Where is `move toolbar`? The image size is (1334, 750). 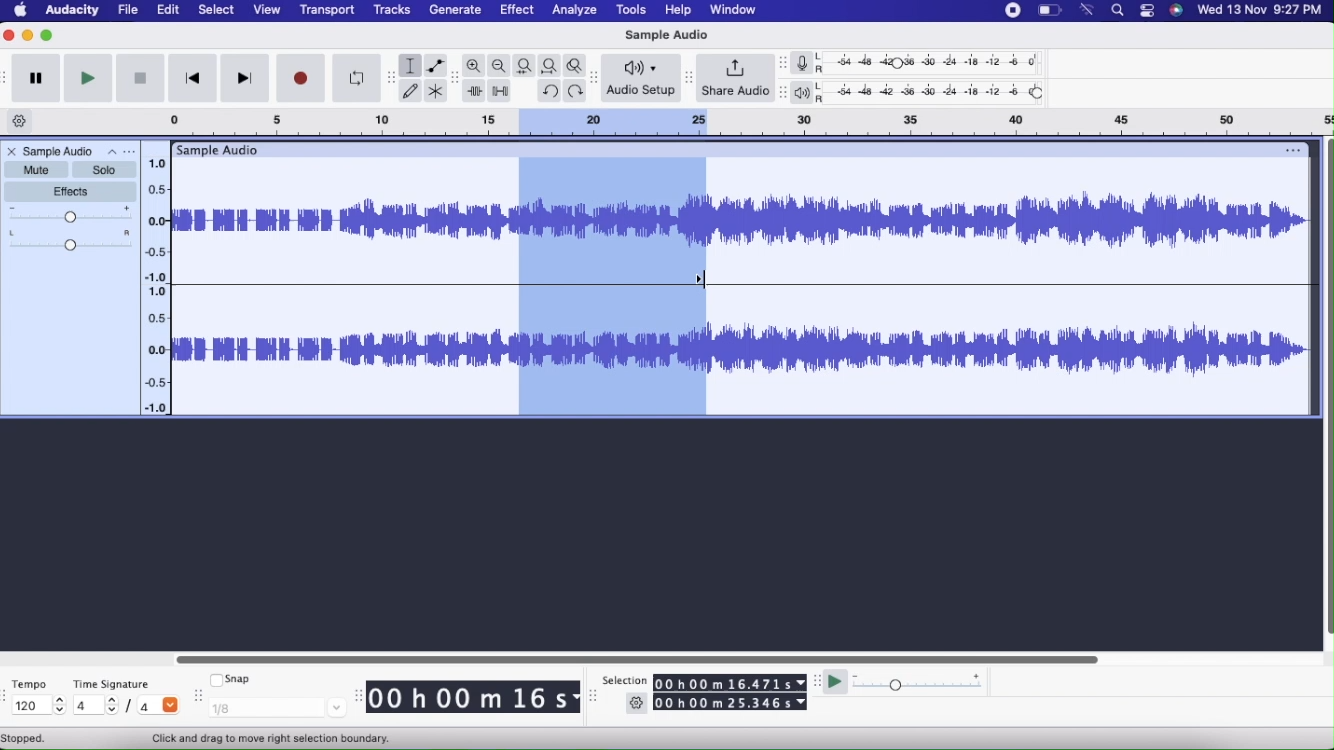 move toolbar is located at coordinates (200, 697).